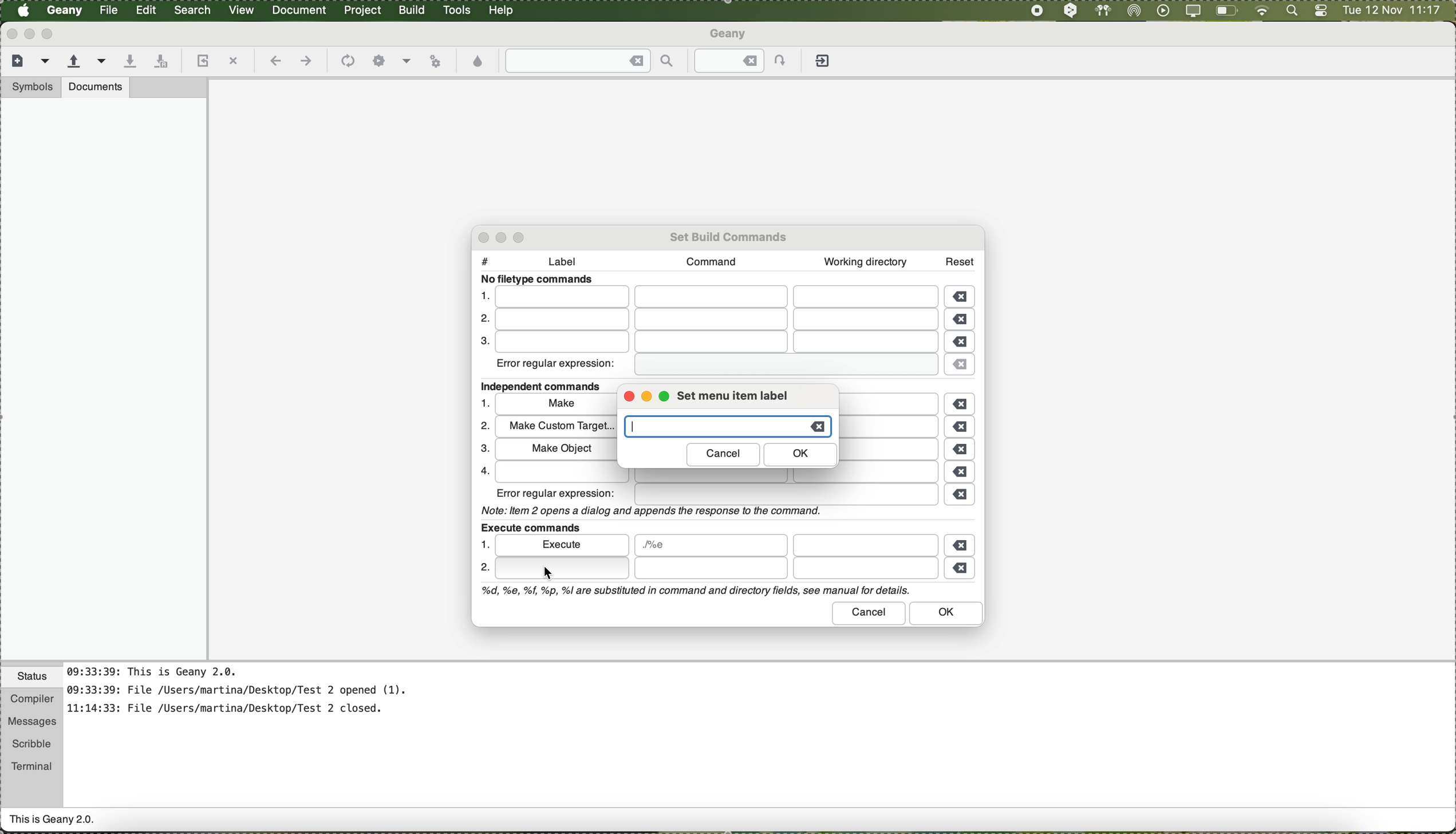  I want to click on spotlight search, so click(1289, 11).